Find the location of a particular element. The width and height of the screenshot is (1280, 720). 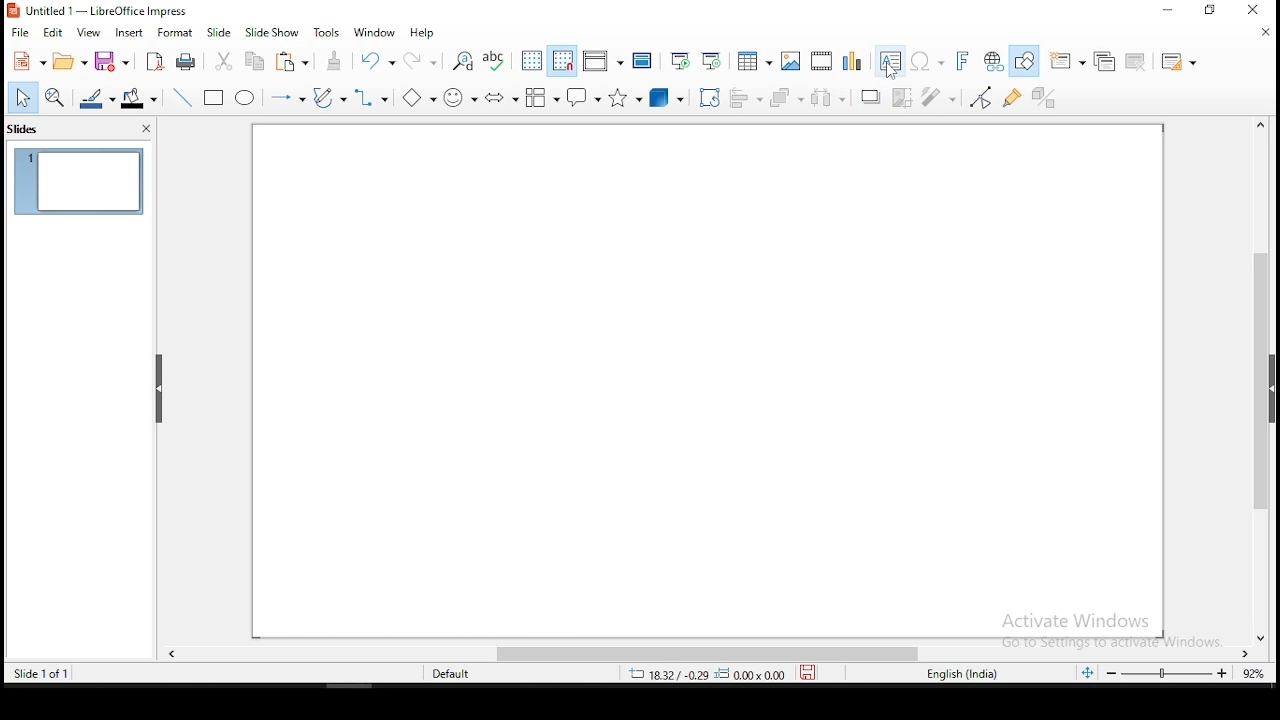

3D objects is located at coordinates (670, 96).